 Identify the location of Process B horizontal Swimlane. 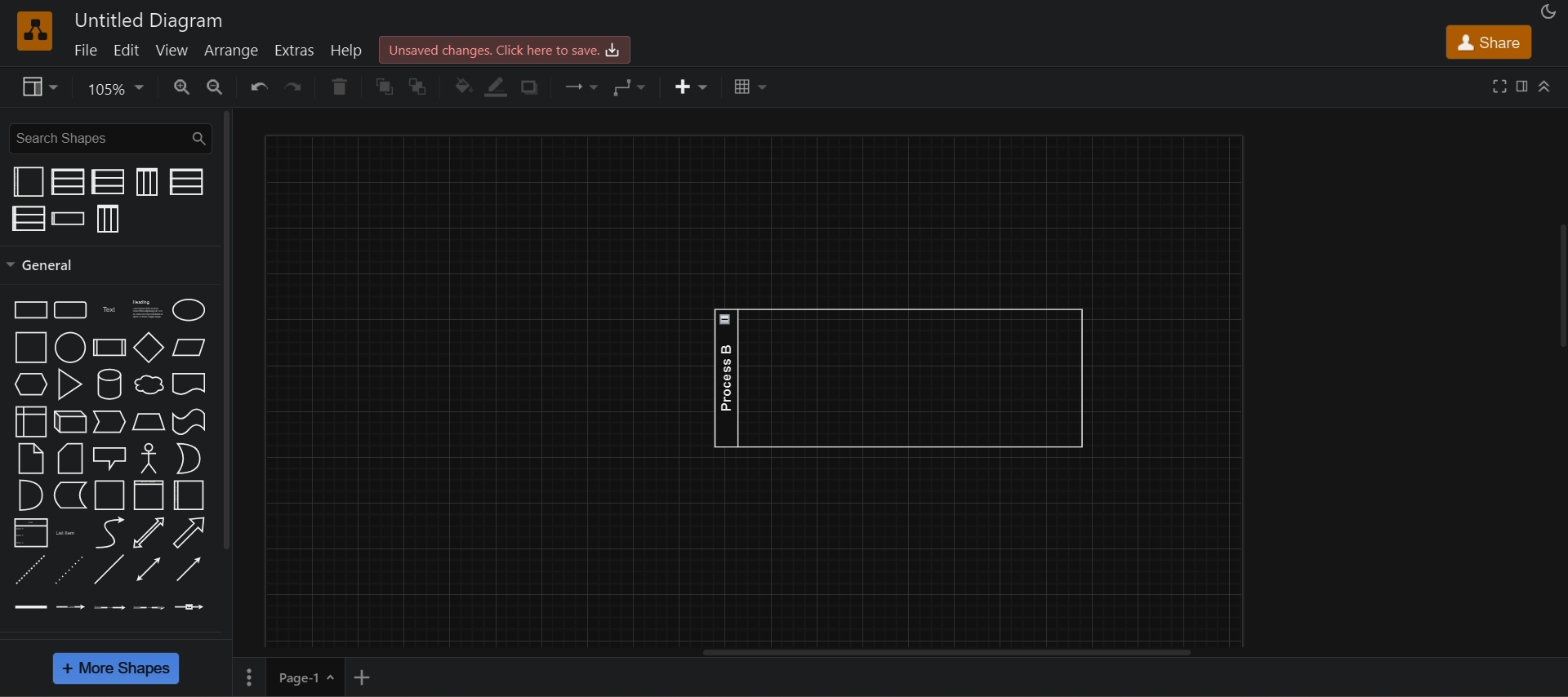
(900, 377).